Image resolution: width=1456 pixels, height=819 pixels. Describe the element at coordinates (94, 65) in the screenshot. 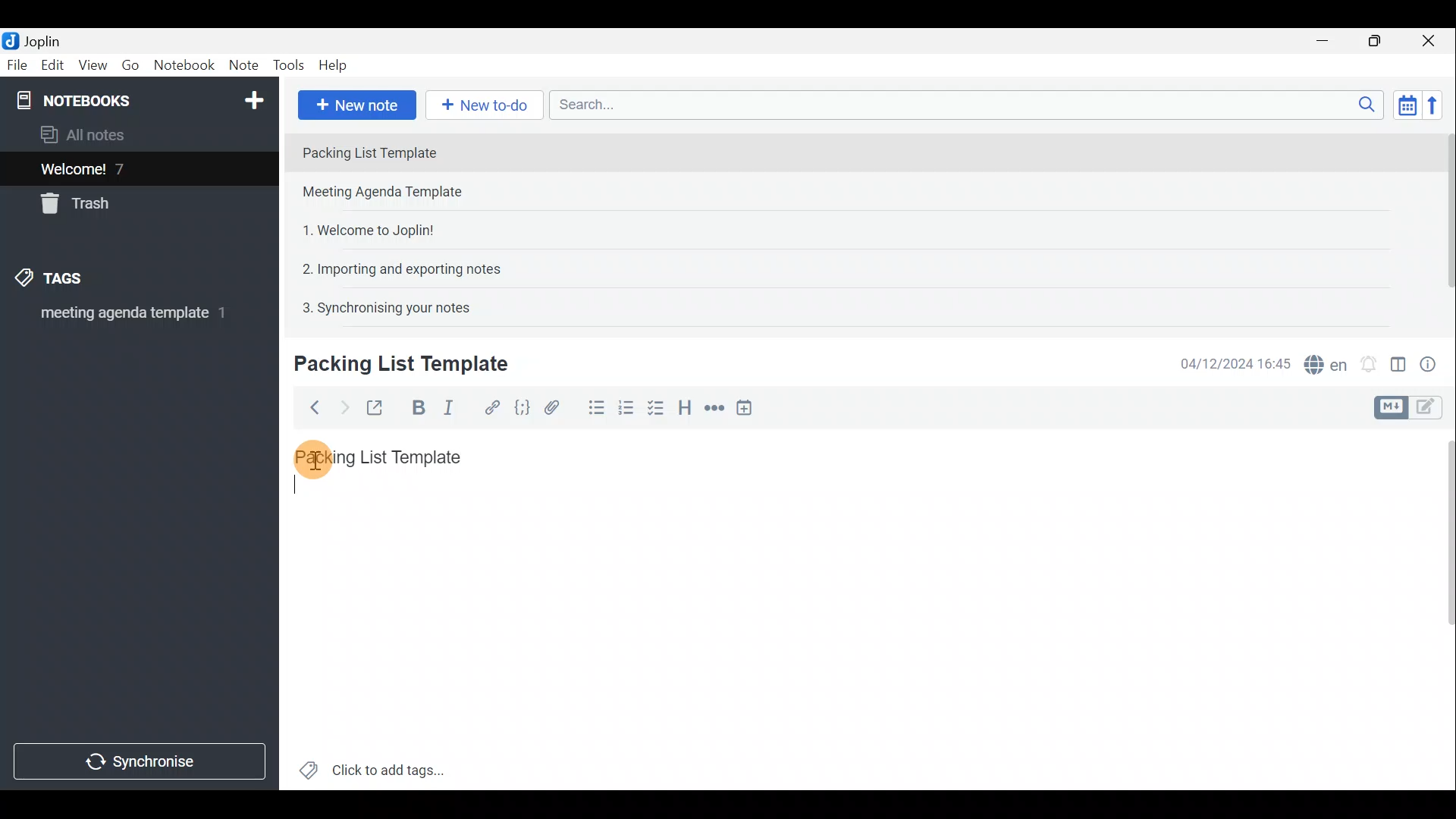

I see `View` at that location.